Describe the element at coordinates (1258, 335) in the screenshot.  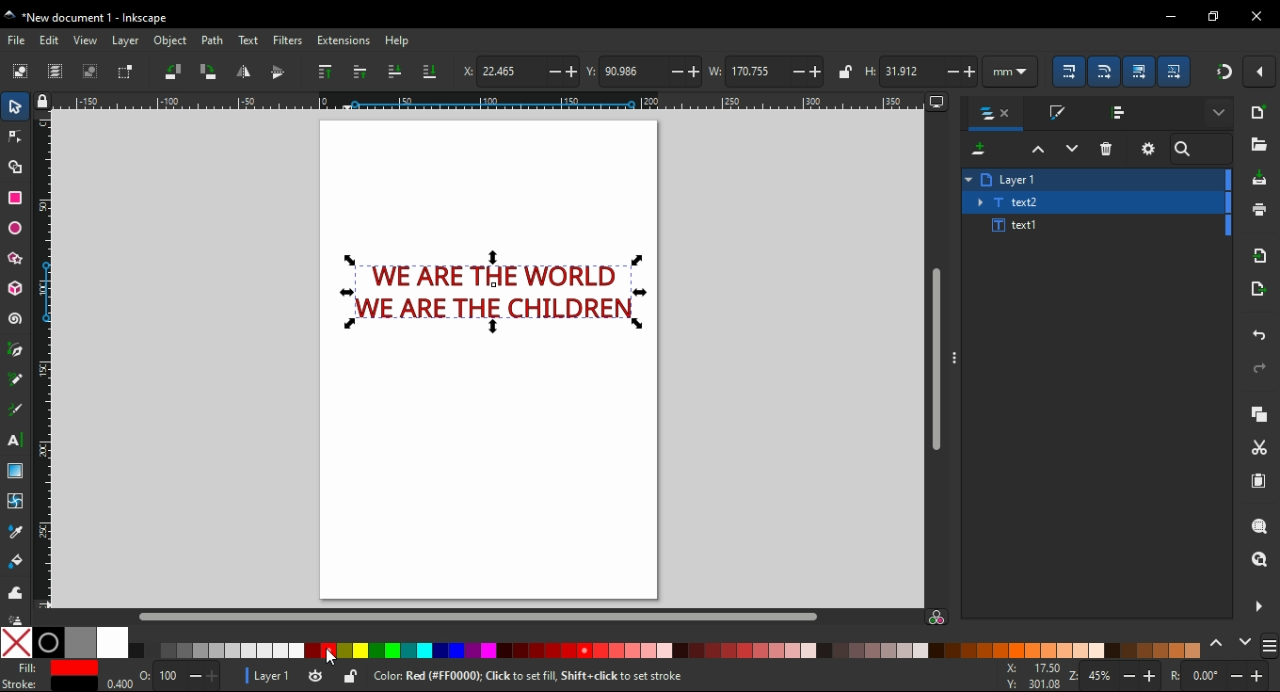
I see `undo` at that location.